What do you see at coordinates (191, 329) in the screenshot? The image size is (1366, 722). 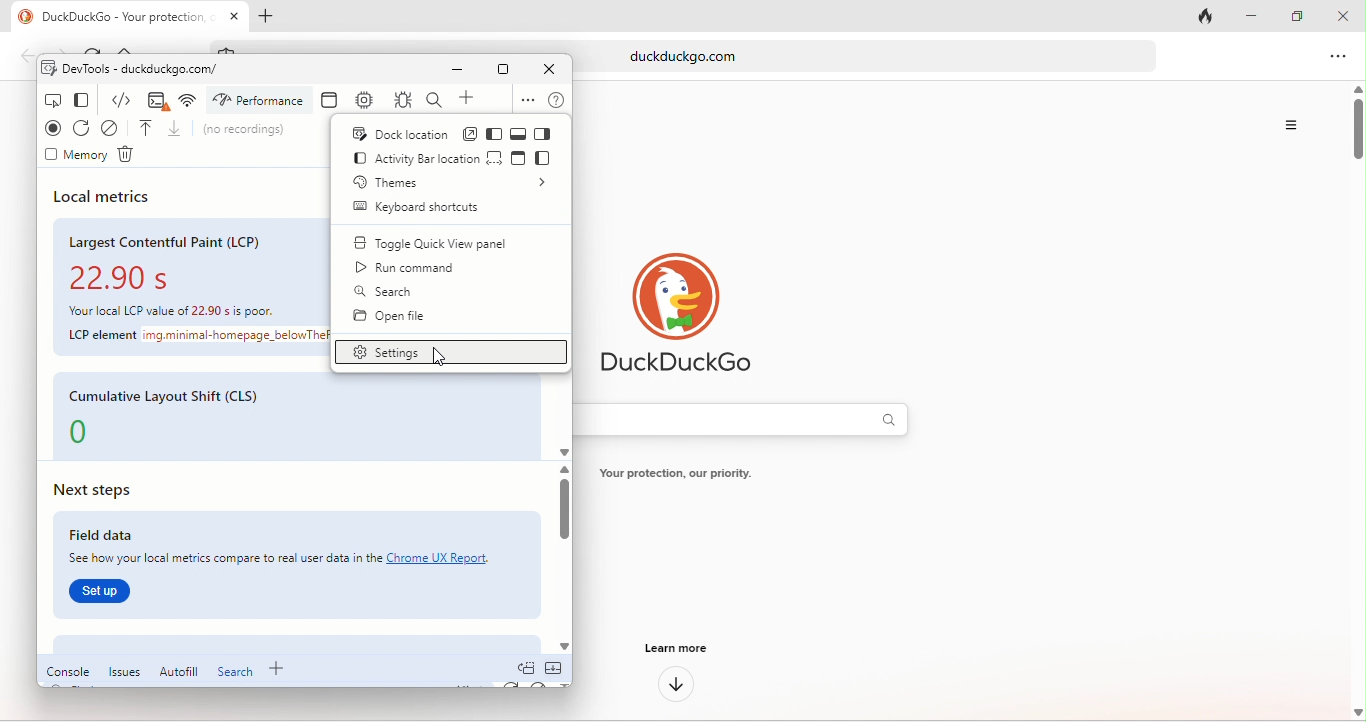 I see `text` at bounding box center [191, 329].